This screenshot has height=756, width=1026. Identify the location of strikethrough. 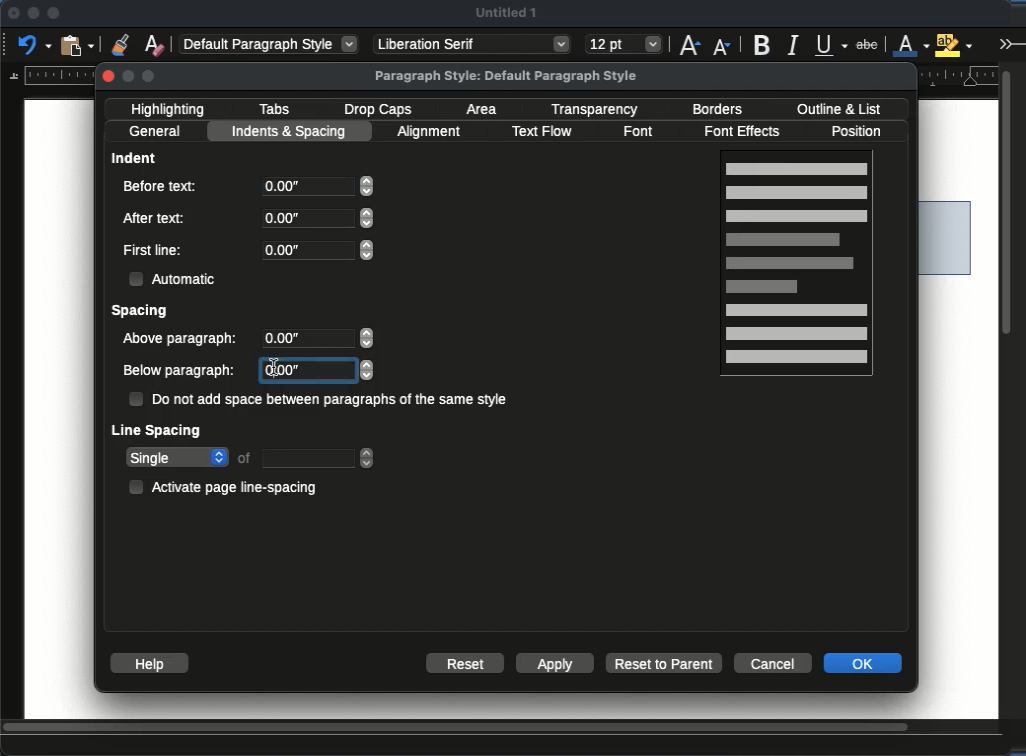
(867, 45).